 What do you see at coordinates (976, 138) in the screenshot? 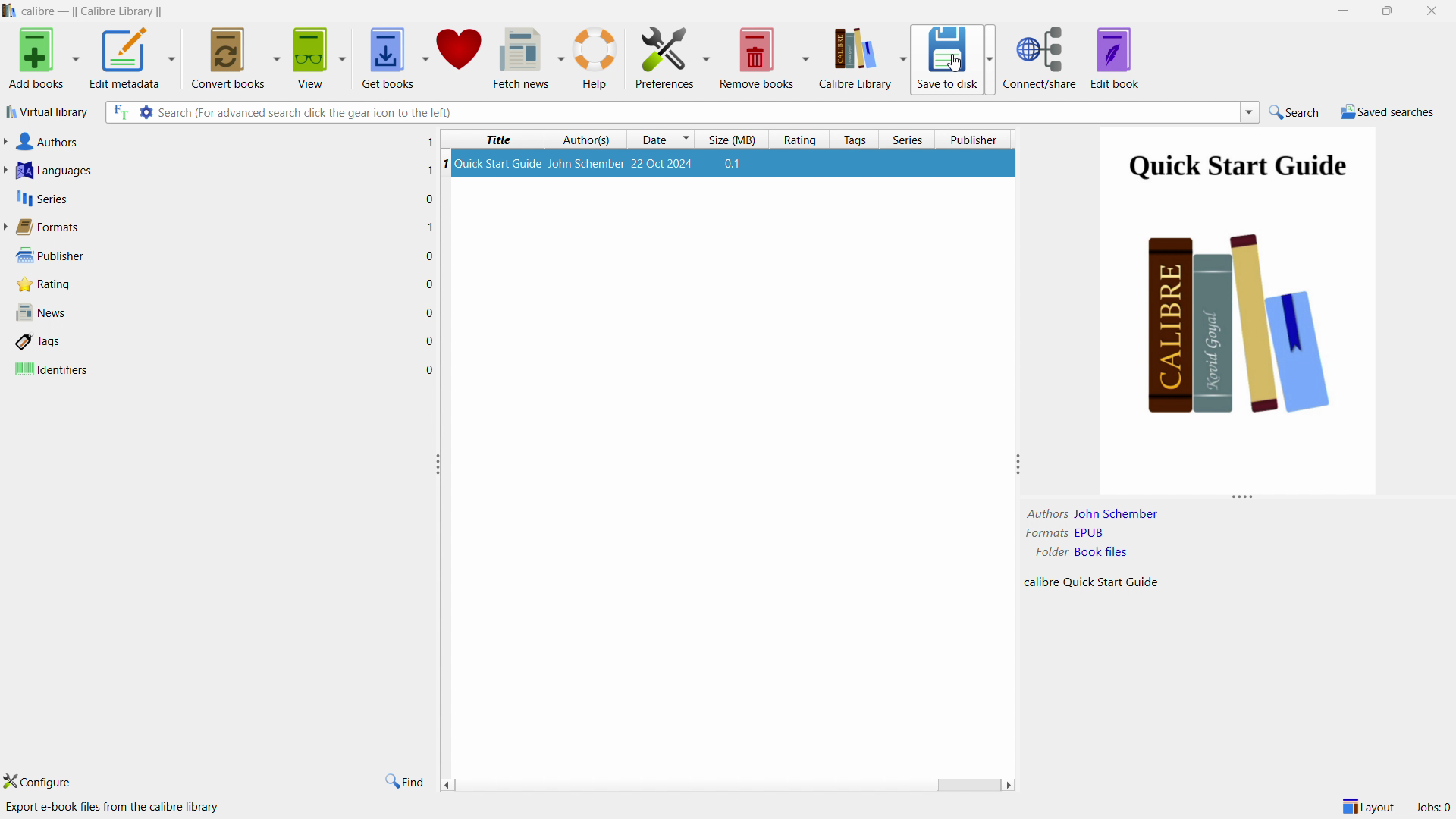
I see `publisher` at bounding box center [976, 138].